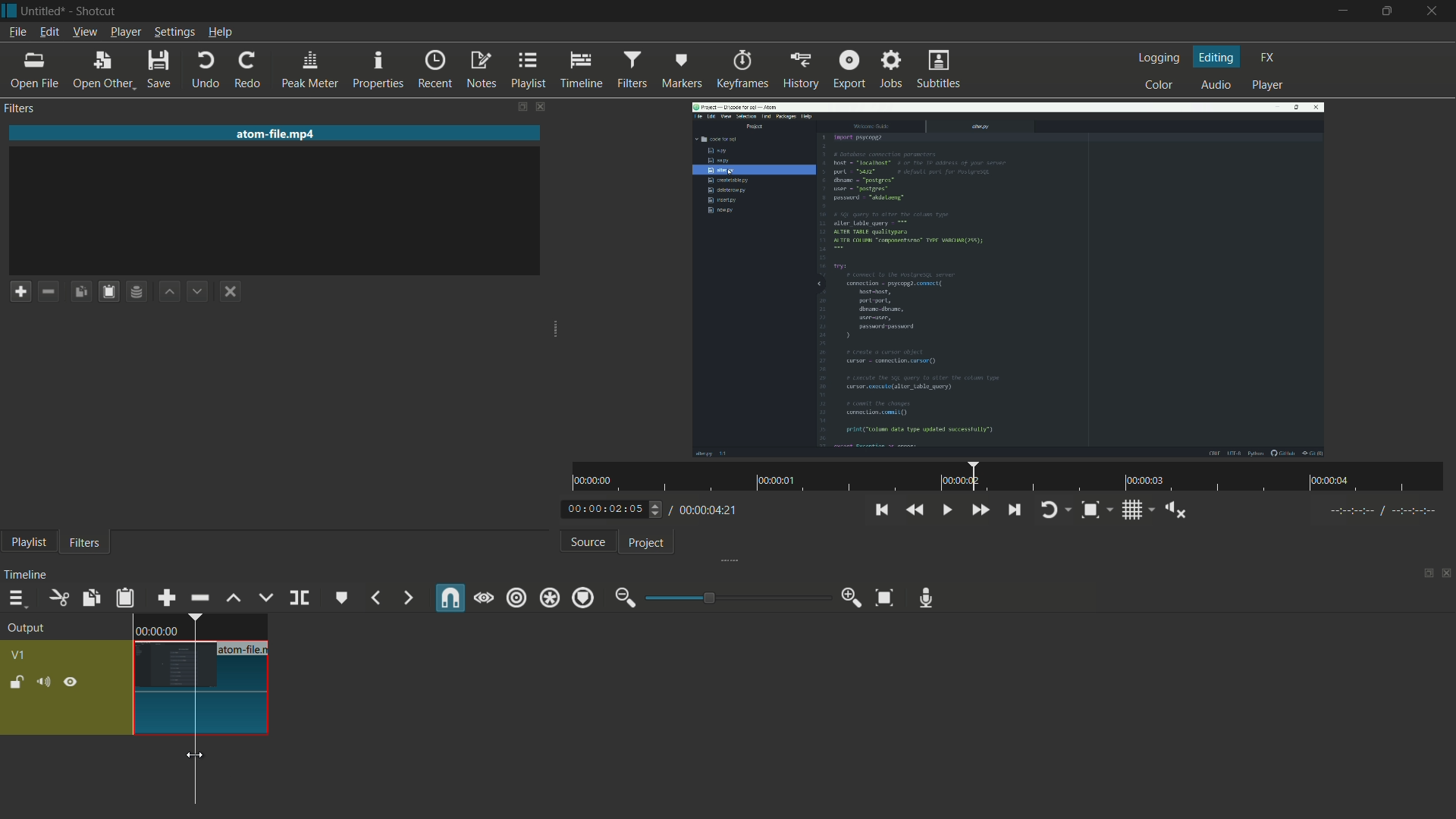  Describe the element at coordinates (1159, 57) in the screenshot. I see `logging` at that location.